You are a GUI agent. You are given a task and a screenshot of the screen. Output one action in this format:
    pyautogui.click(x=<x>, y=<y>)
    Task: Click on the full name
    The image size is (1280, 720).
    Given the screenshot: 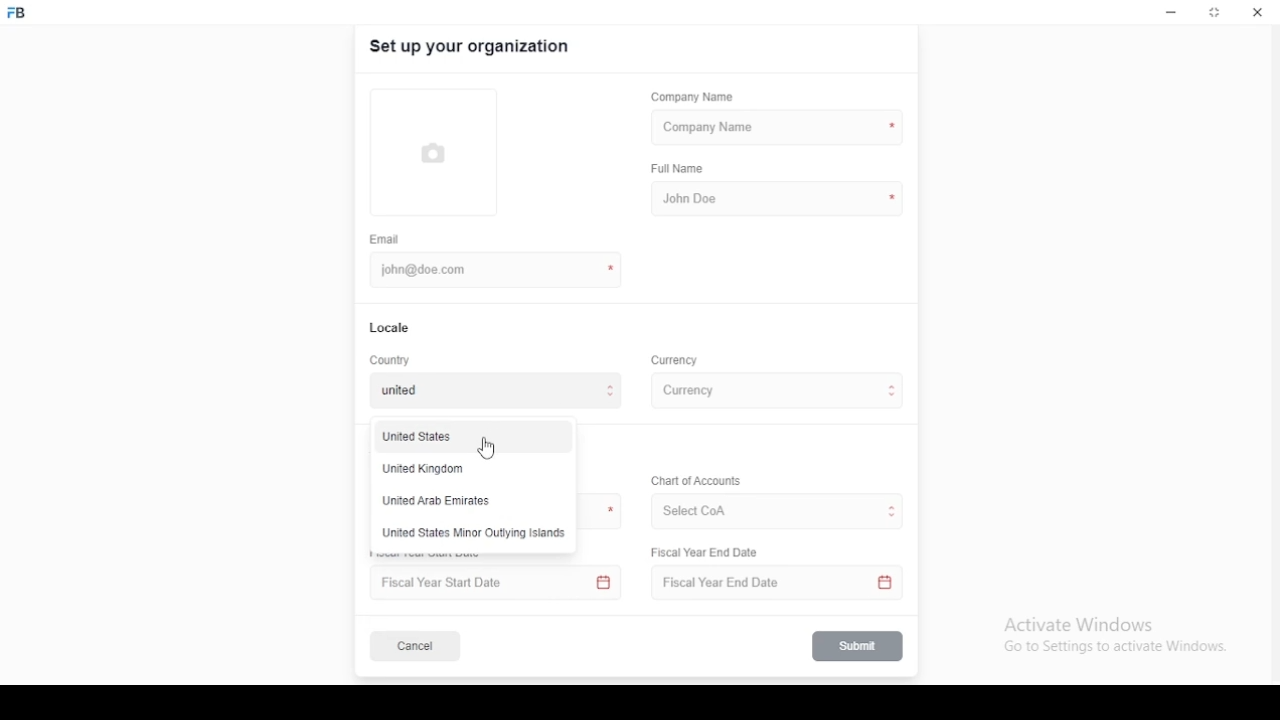 What is the action you would take?
    pyautogui.click(x=683, y=169)
    